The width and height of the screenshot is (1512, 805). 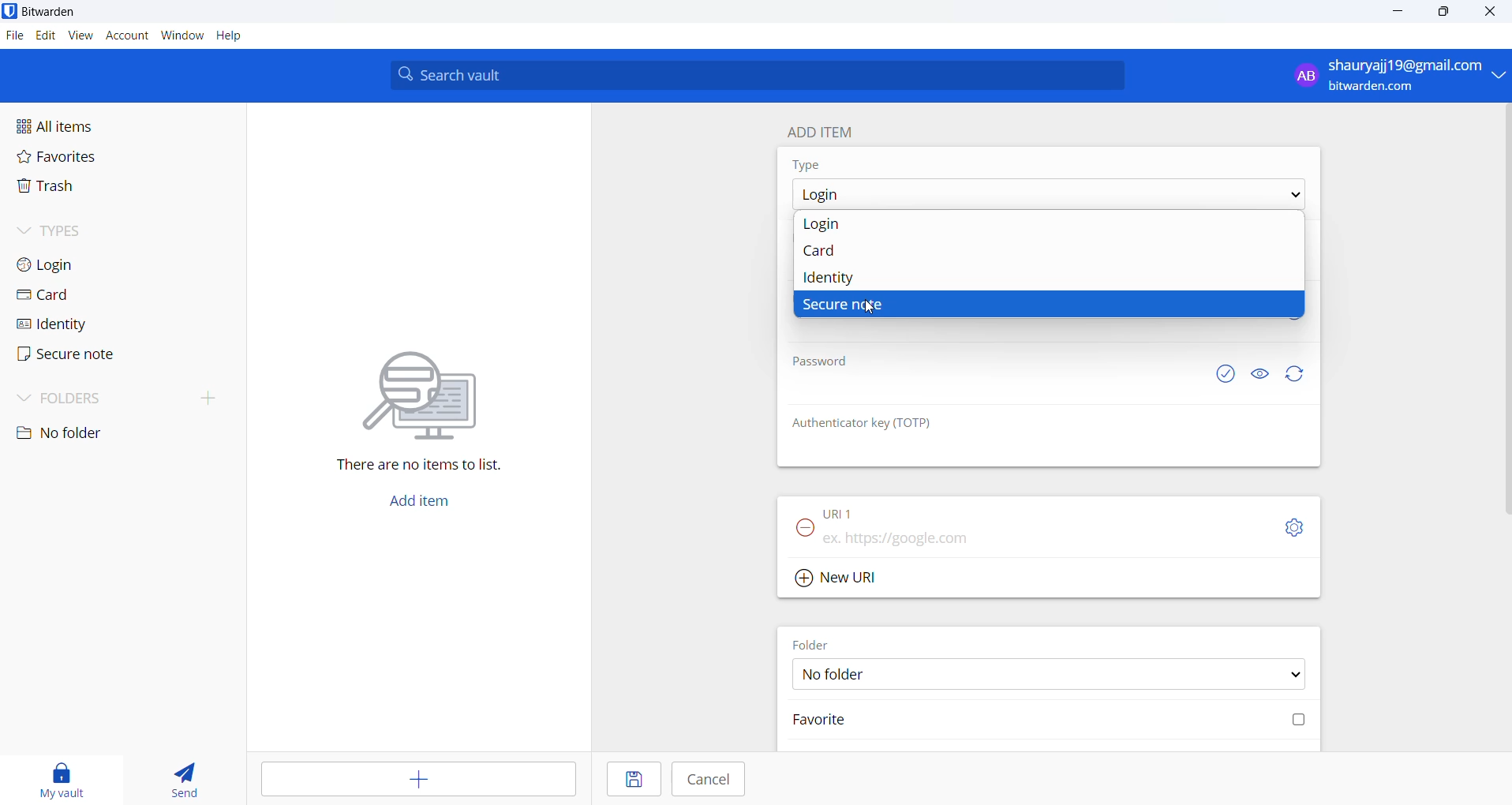 What do you see at coordinates (822, 166) in the screenshot?
I see `type` at bounding box center [822, 166].